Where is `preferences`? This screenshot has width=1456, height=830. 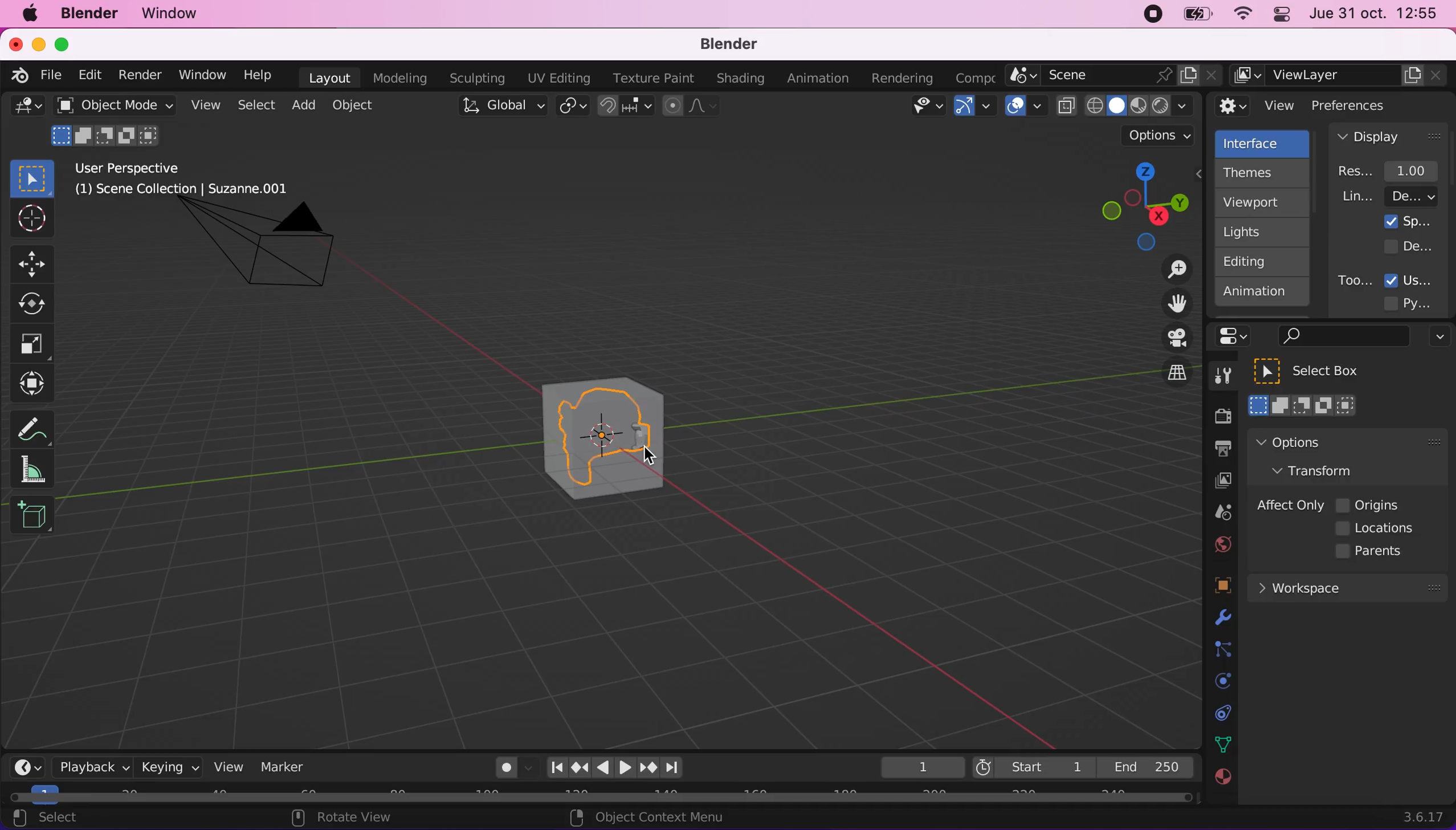 preferences is located at coordinates (1368, 105).